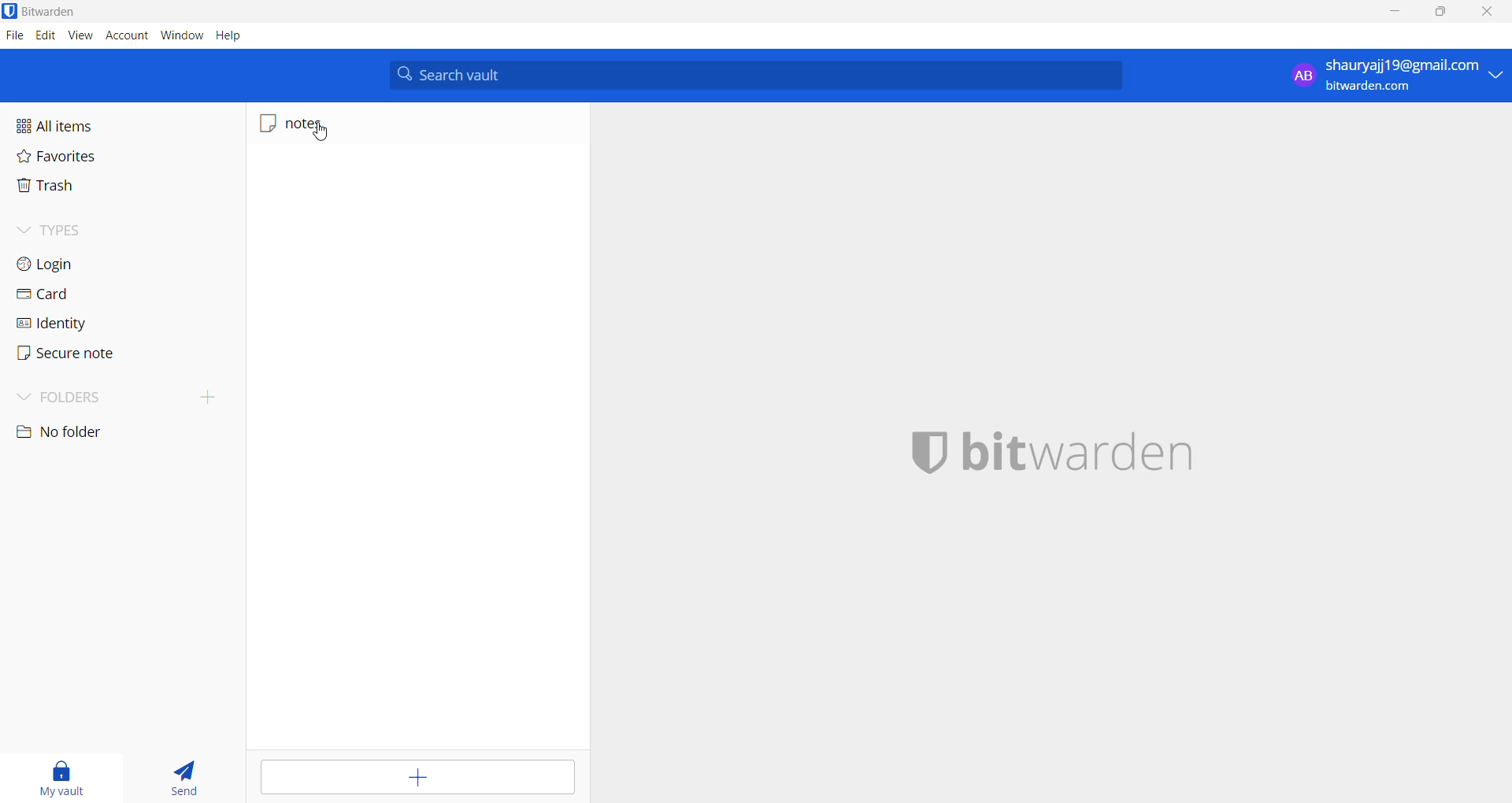 This screenshot has width=1512, height=803. Describe the element at coordinates (76, 354) in the screenshot. I see `secure note` at that location.